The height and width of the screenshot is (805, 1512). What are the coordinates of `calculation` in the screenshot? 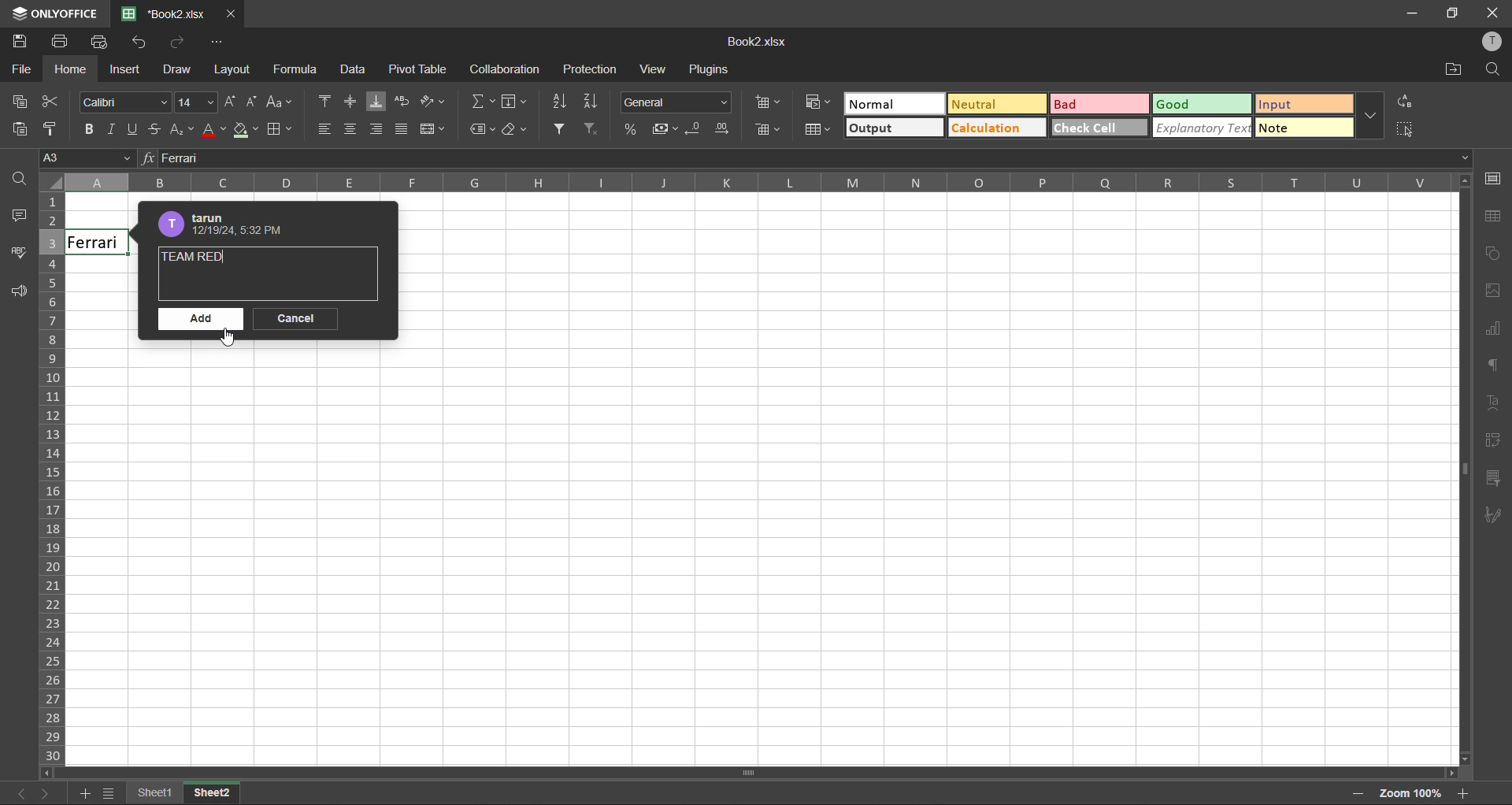 It's located at (996, 129).